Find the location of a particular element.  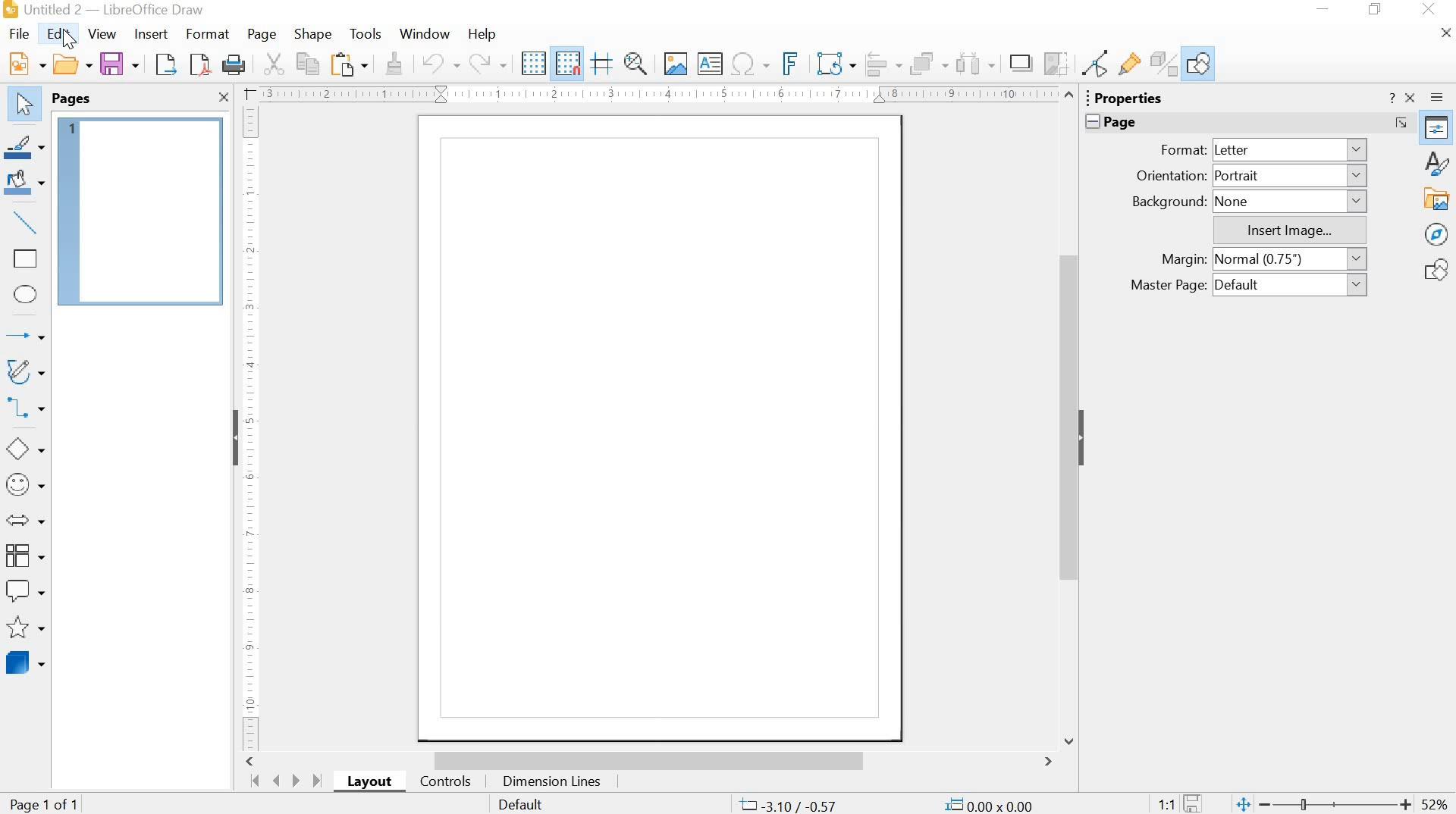

Close Sidebar Deck is located at coordinates (1414, 96).